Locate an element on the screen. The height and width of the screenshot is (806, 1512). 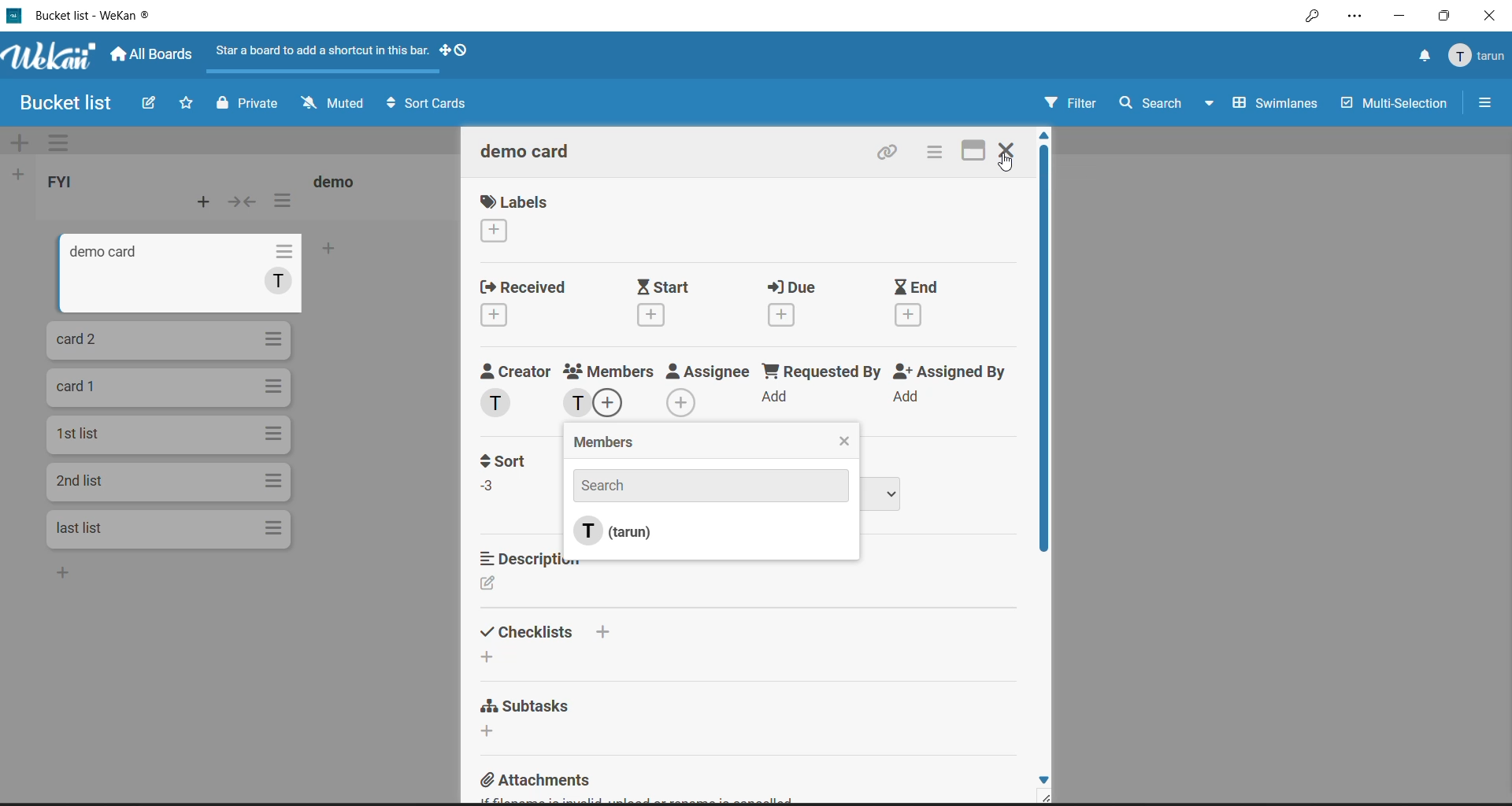
card actions is located at coordinates (939, 151).